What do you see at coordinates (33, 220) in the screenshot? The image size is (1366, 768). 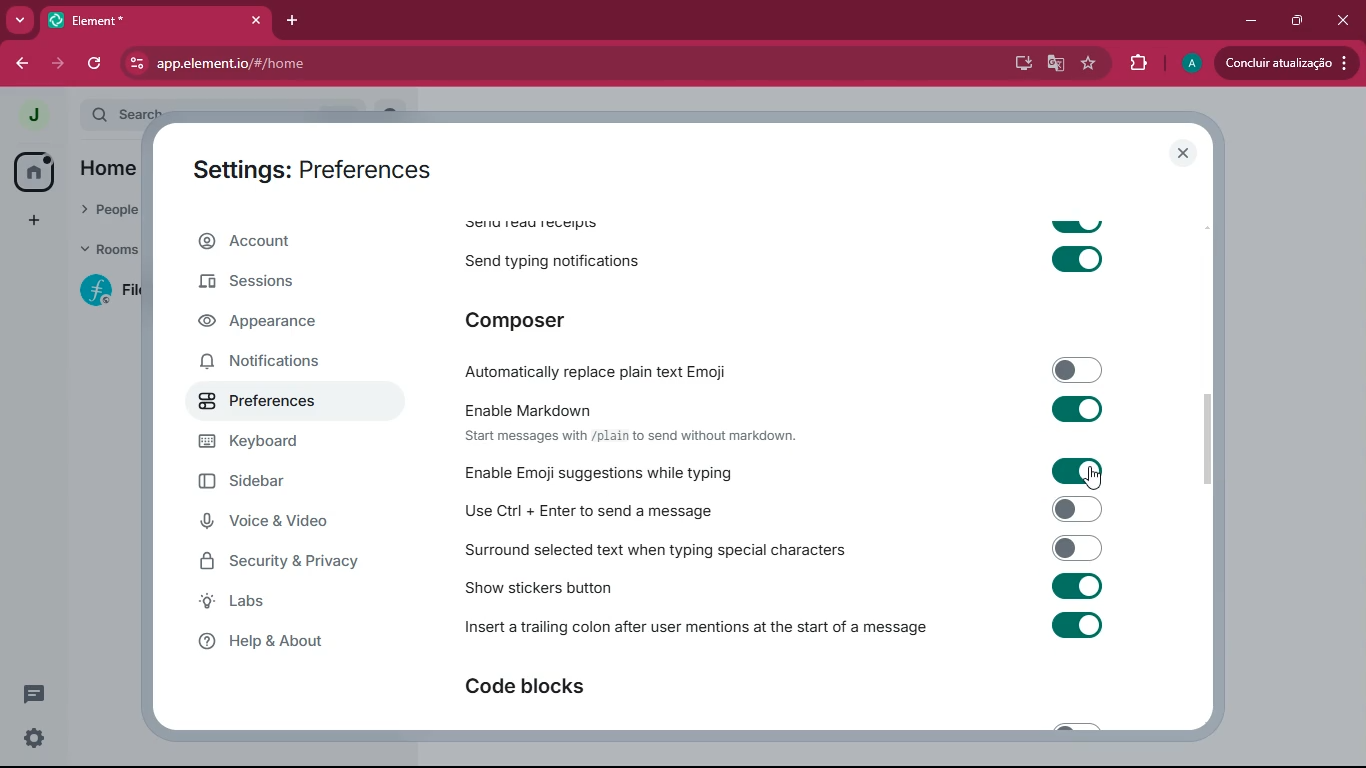 I see `add` at bounding box center [33, 220].